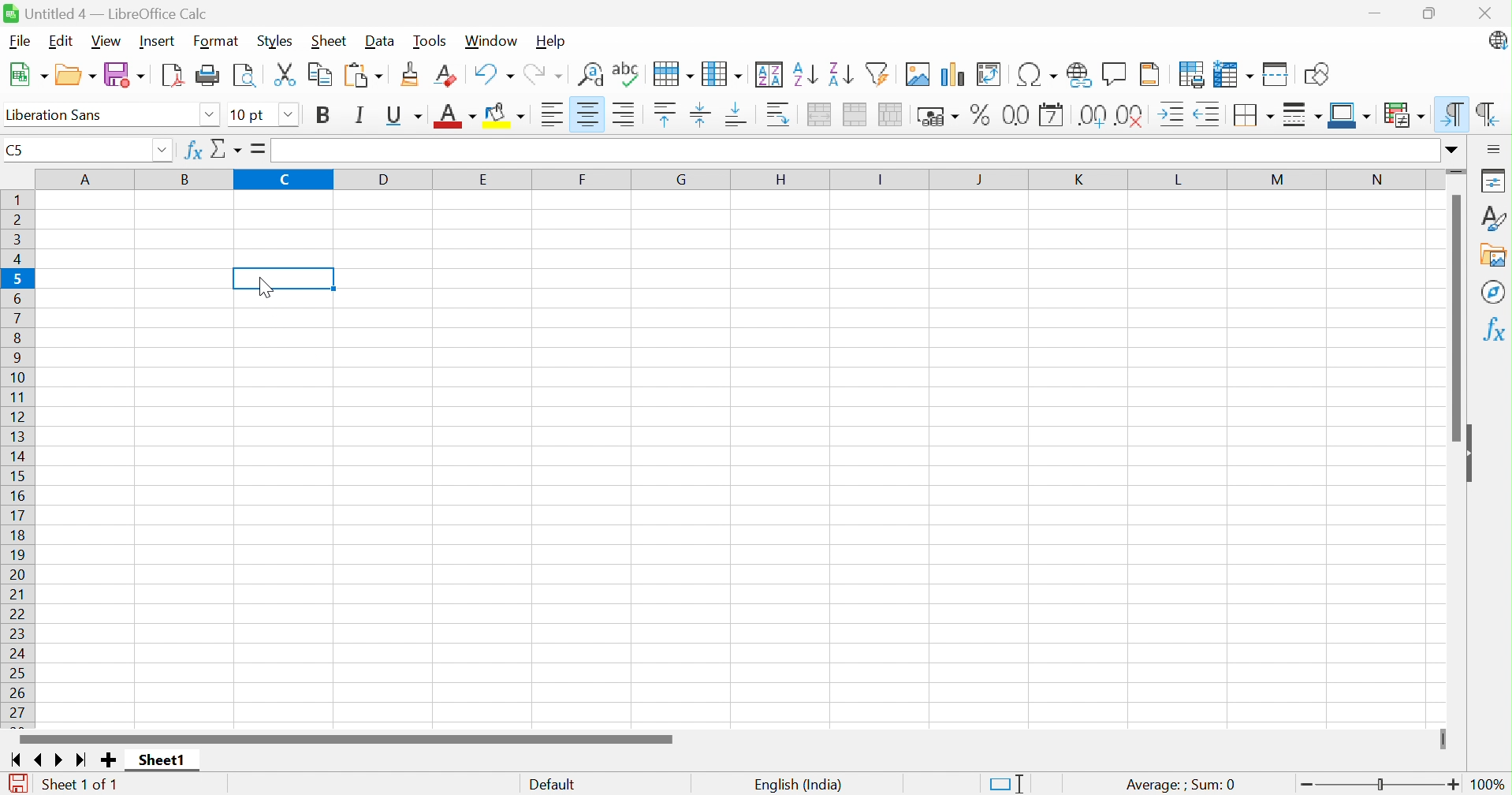 This screenshot has height=795, width=1512. I want to click on Function Wizard, so click(191, 151).